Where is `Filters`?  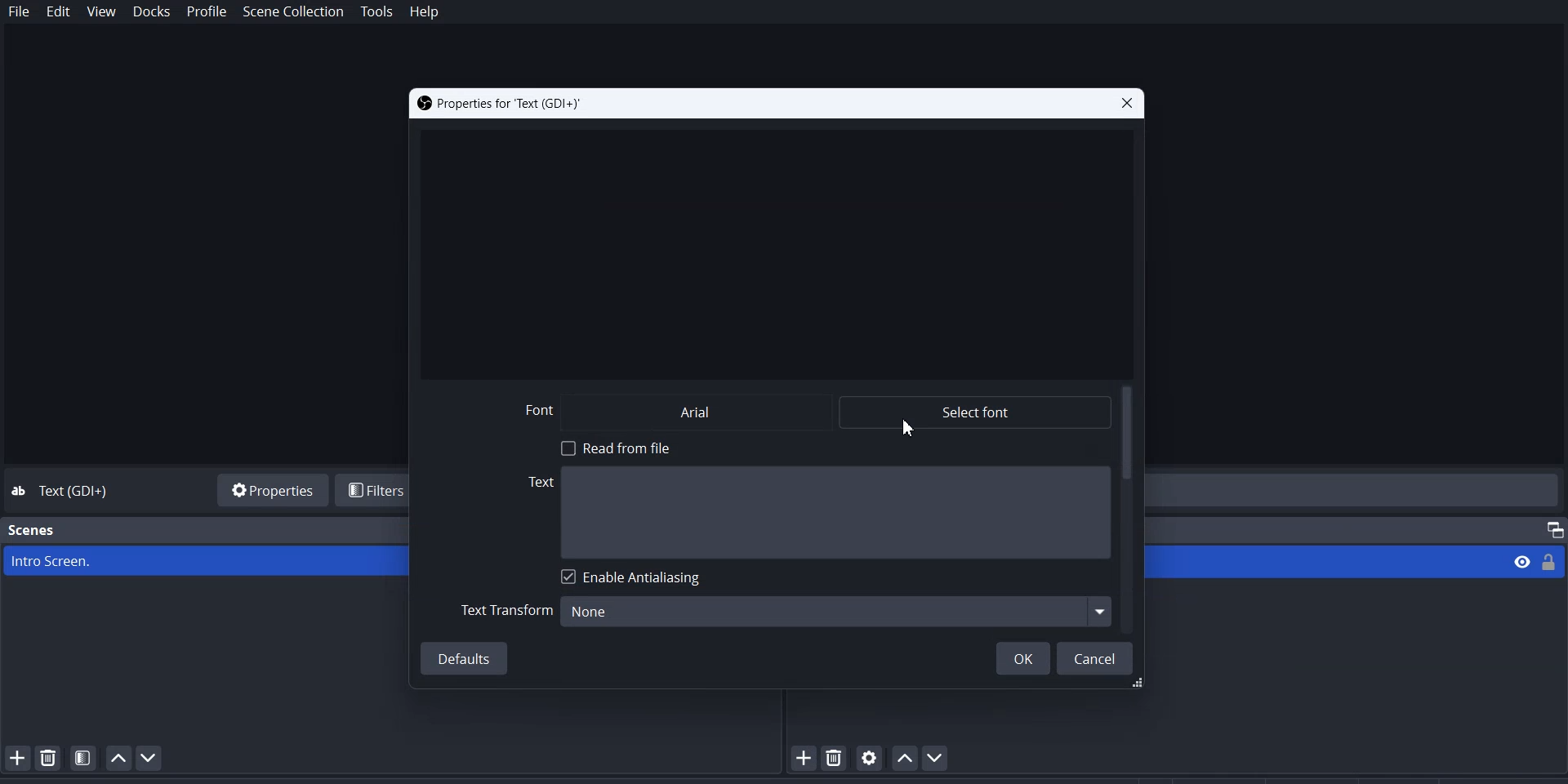
Filters is located at coordinates (375, 490).